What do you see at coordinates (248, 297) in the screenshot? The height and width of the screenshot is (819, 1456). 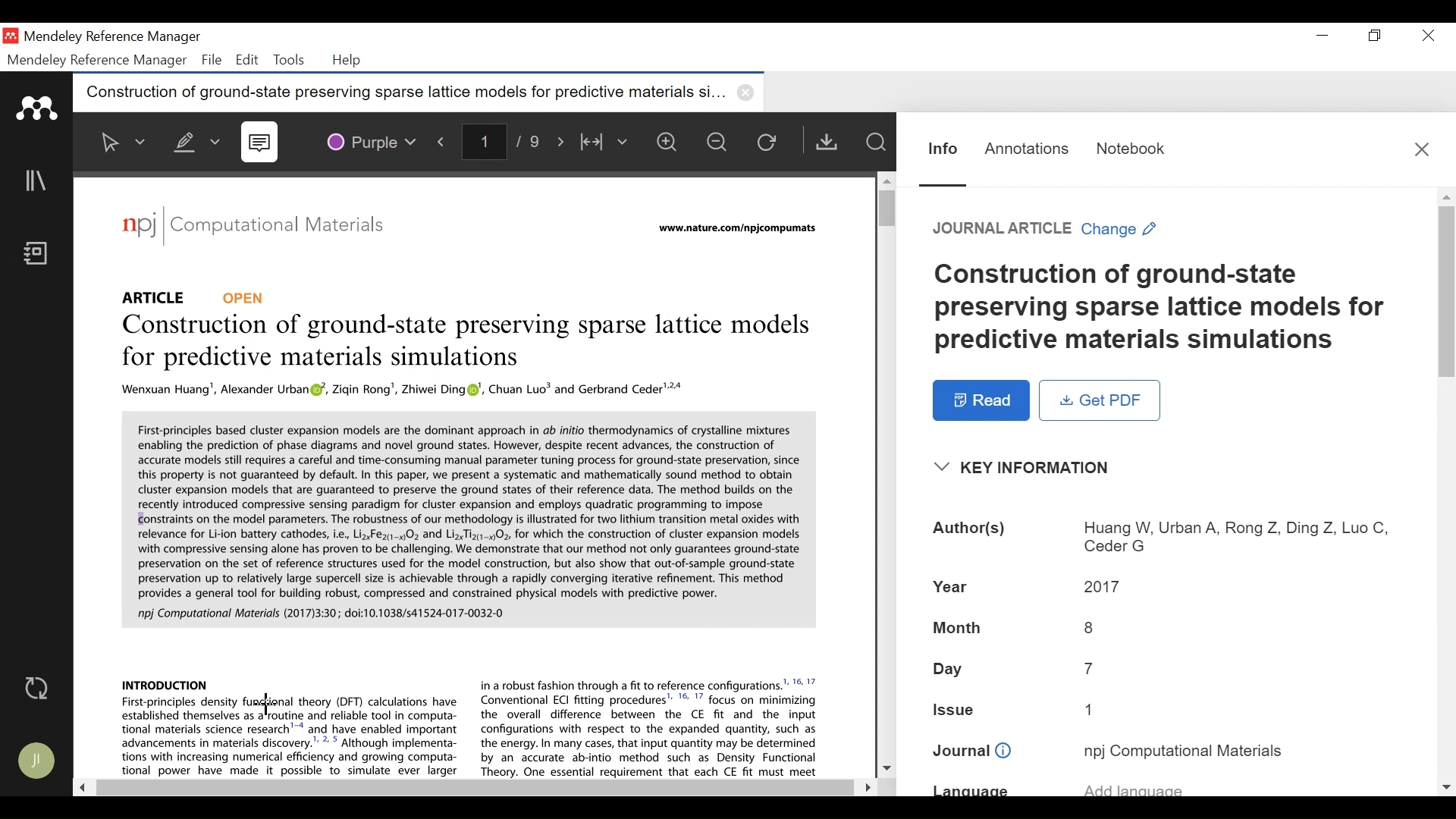 I see `OPEN` at bounding box center [248, 297].